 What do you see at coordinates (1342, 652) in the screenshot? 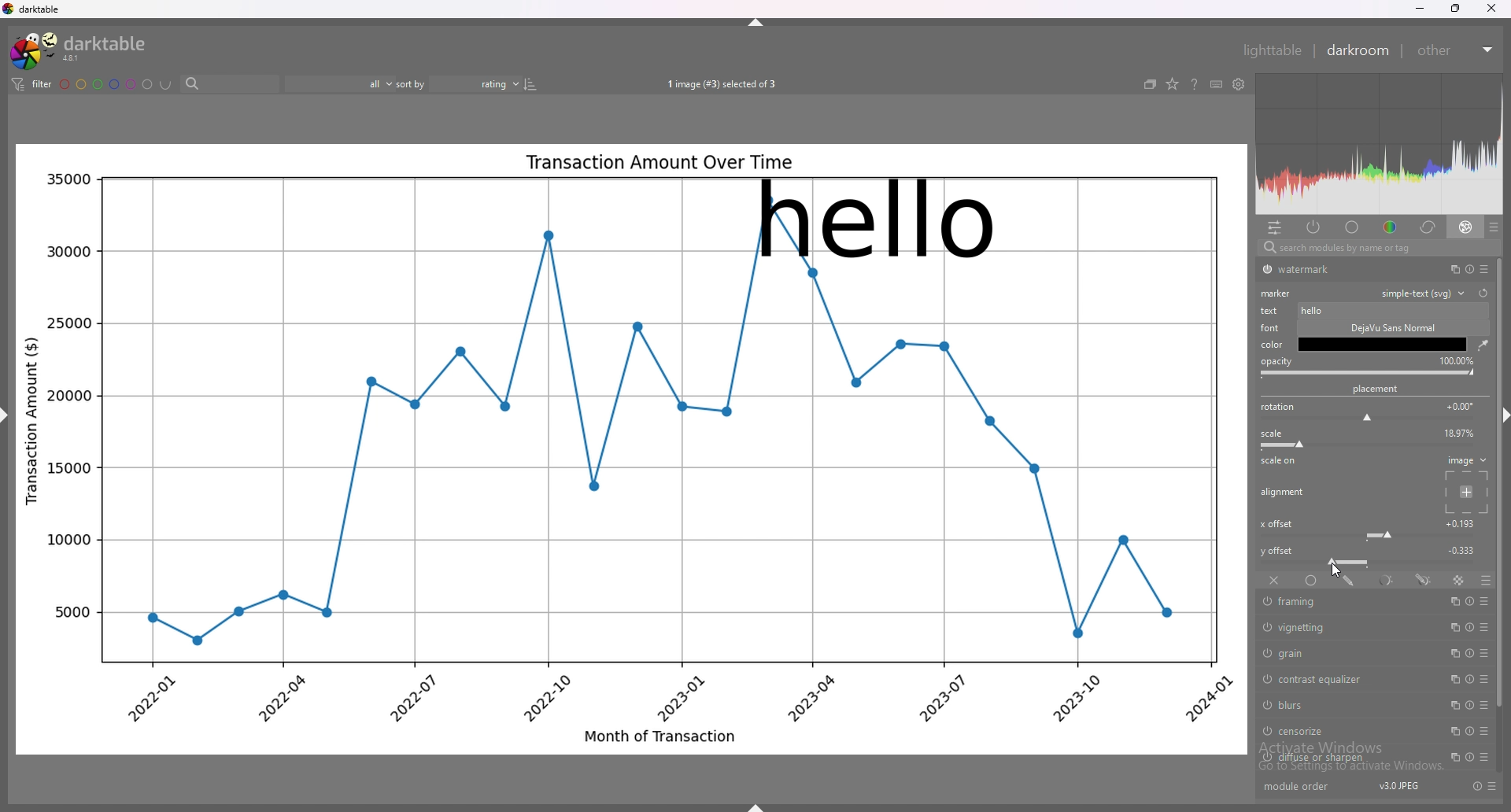
I see `grain` at bounding box center [1342, 652].